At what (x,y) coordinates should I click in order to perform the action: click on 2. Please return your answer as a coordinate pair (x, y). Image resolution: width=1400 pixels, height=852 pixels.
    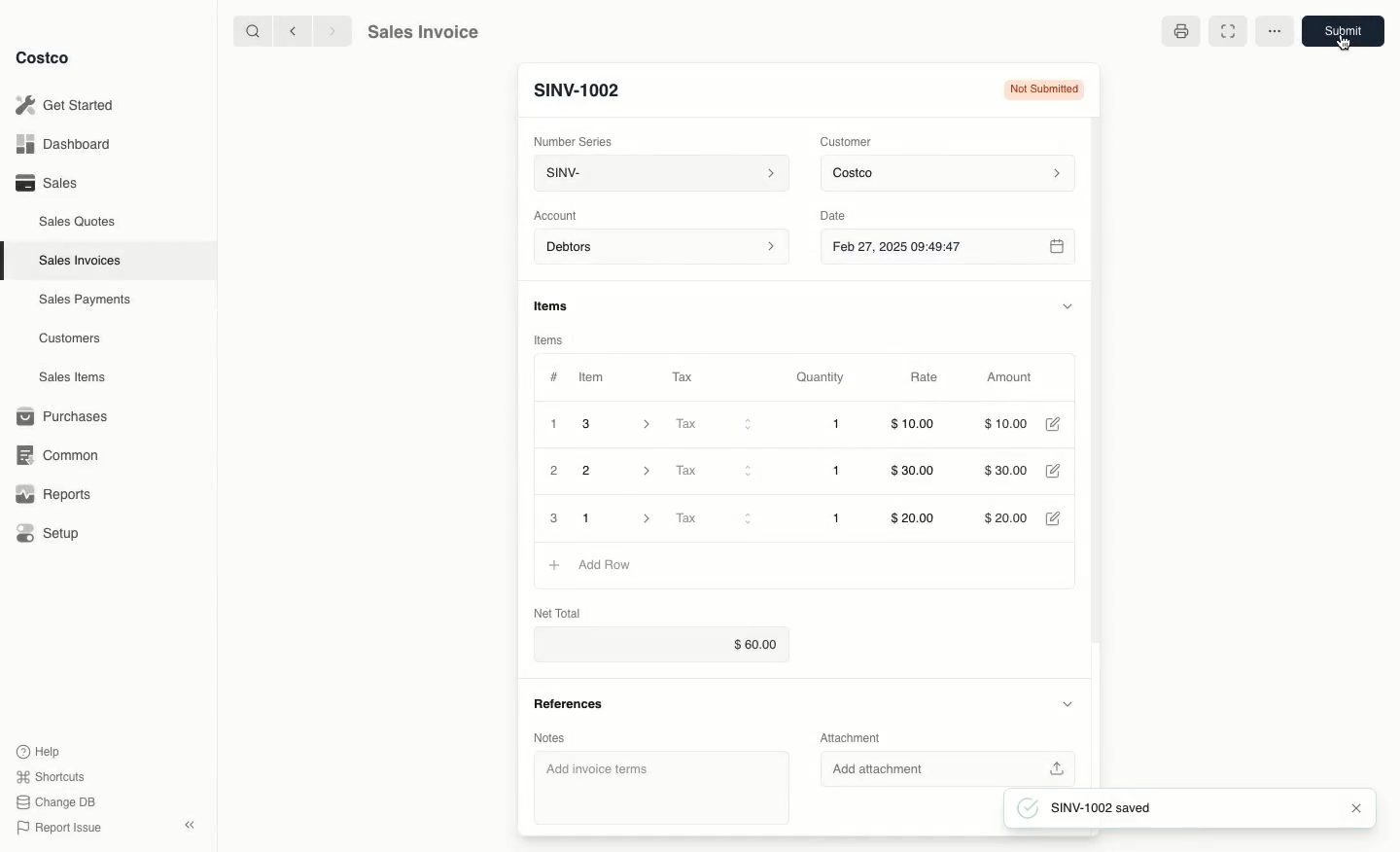
    Looking at the image, I should click on (619, 471).